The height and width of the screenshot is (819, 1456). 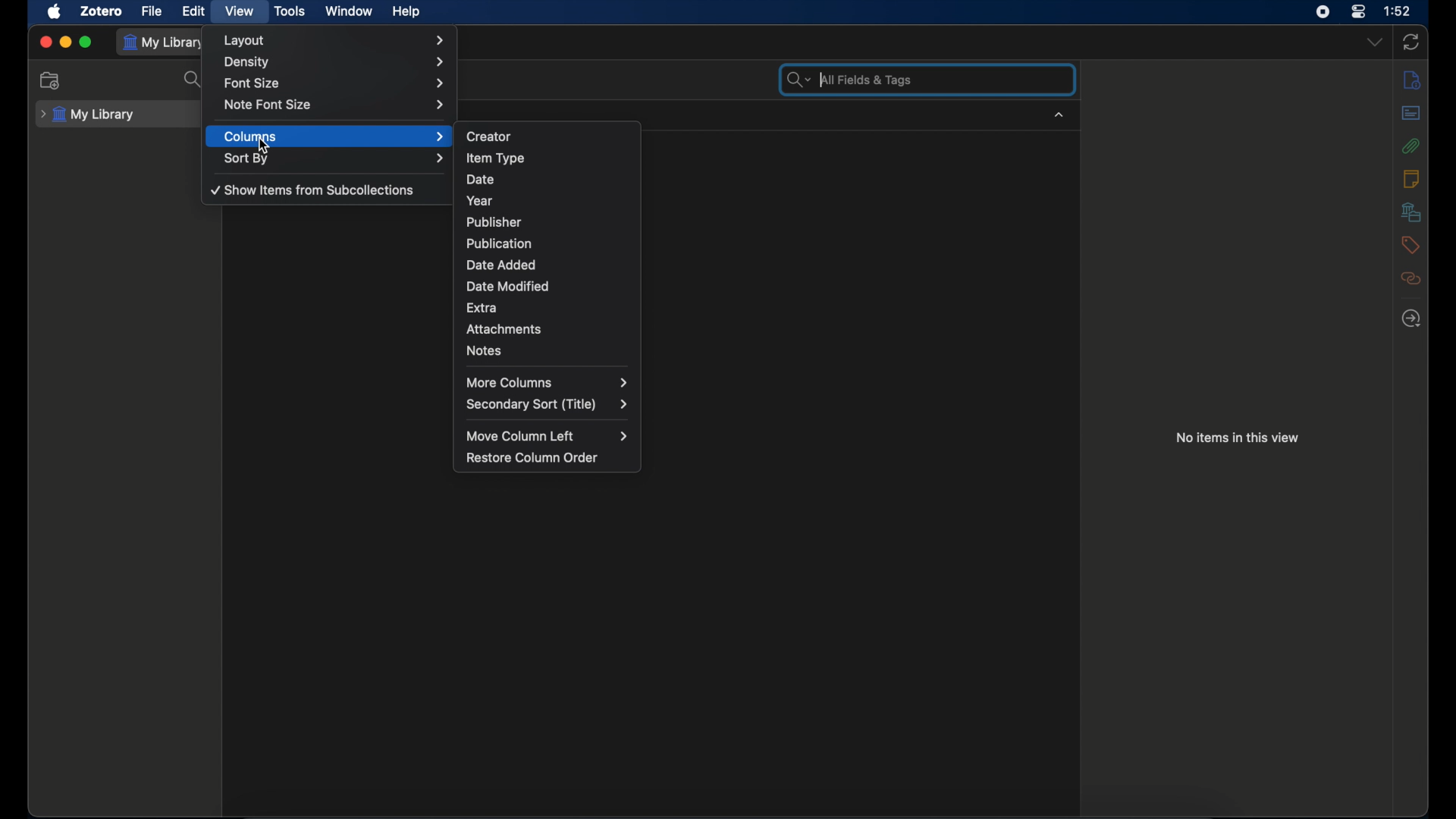 I want to click on help, so click(x=408, y=12).